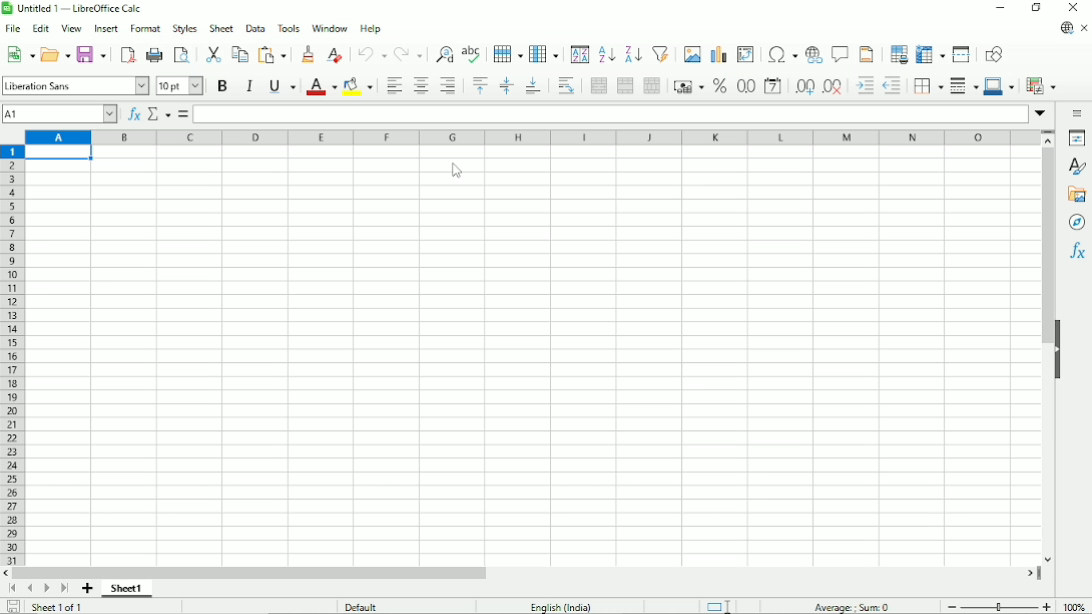 The image size is (1092, 614). What do you see at coordinates (1042, 85) in the screenshot?
I see `Conditional` at bounding box center [1042, 85].